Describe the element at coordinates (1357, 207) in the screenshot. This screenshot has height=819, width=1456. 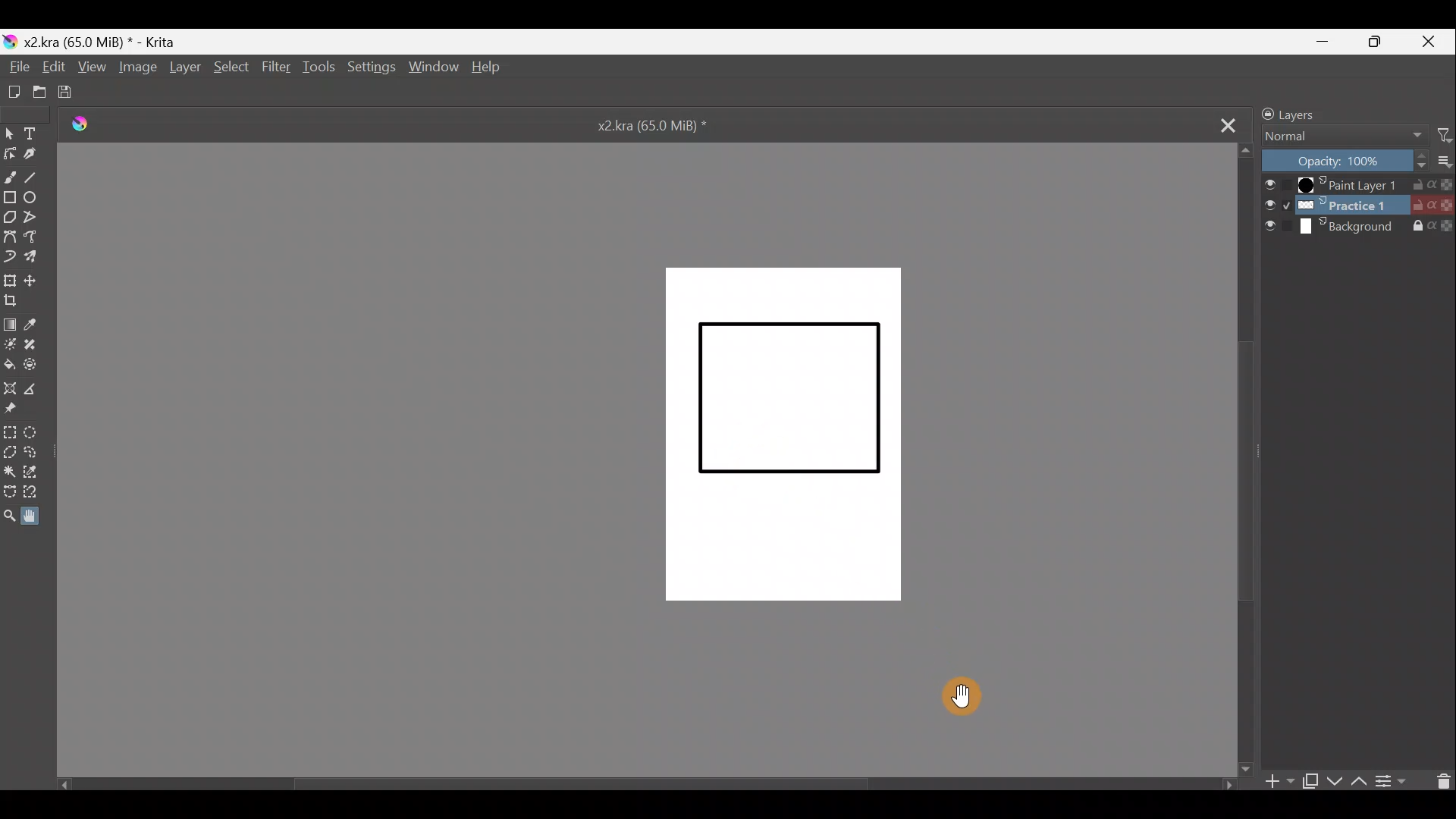
I see `Layer 2` at that location.